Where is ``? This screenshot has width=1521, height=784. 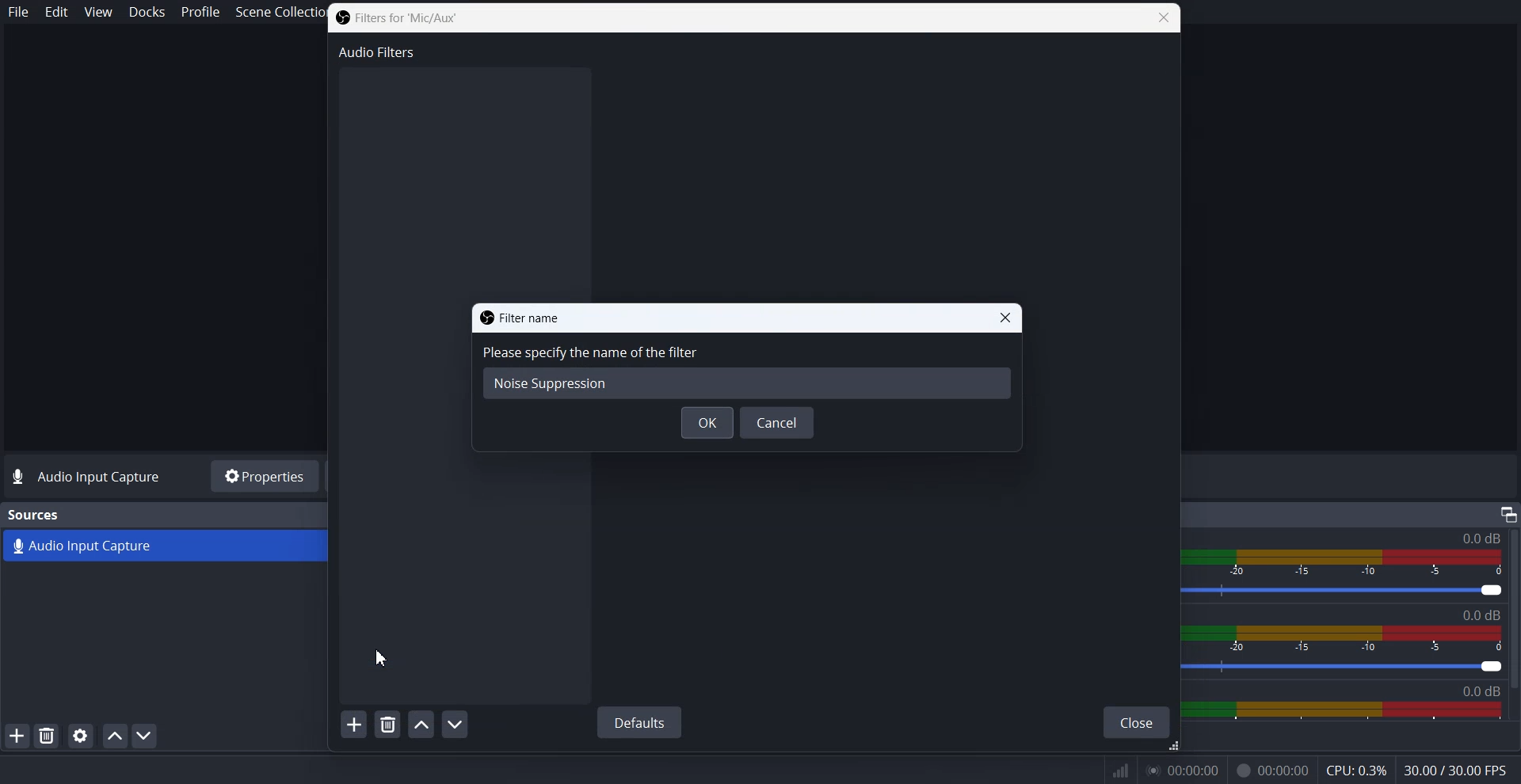  is located at coordinates (1508, 513).